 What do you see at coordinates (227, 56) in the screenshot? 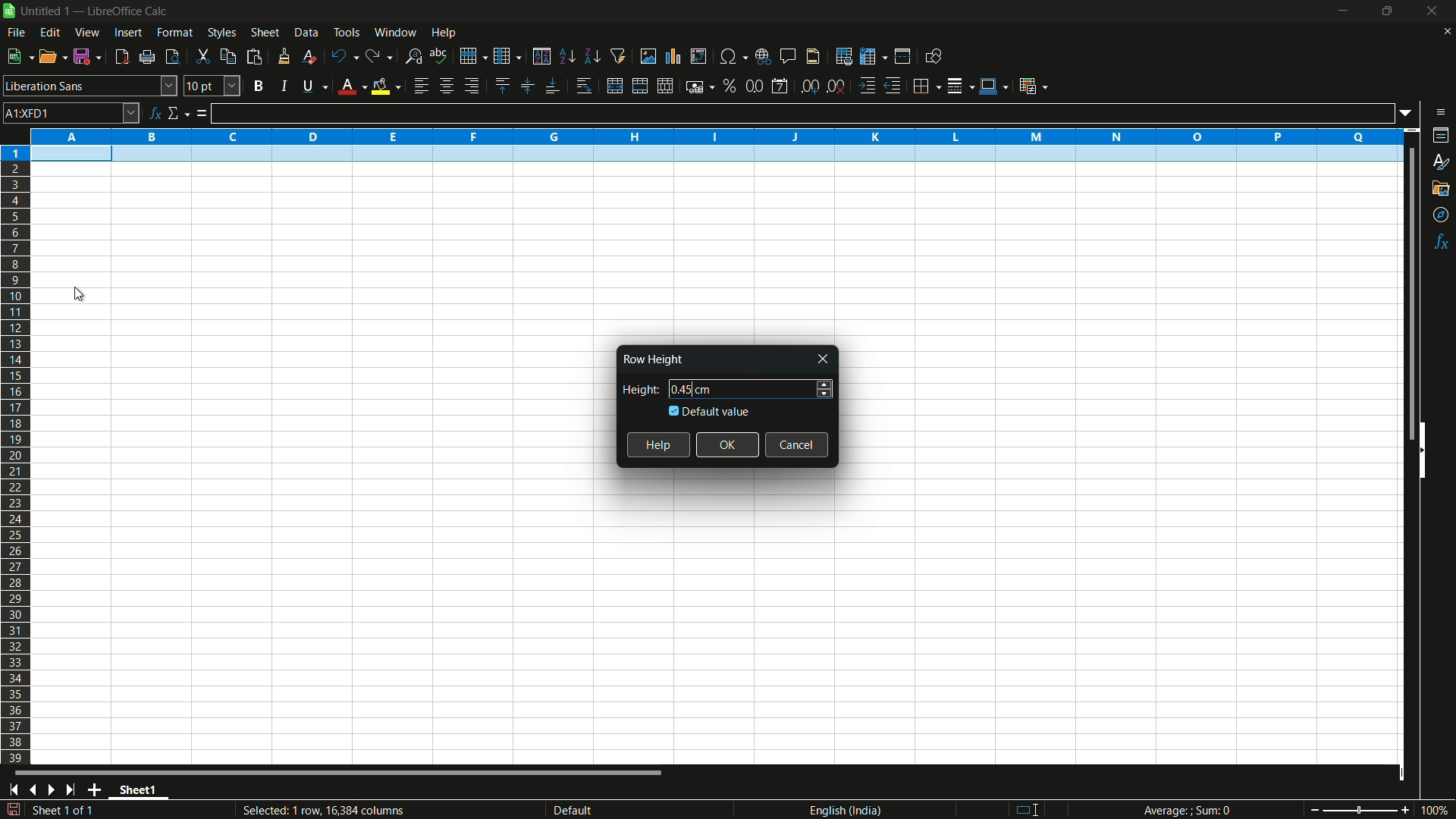
I see `copy` at bounding box center [227, 56].